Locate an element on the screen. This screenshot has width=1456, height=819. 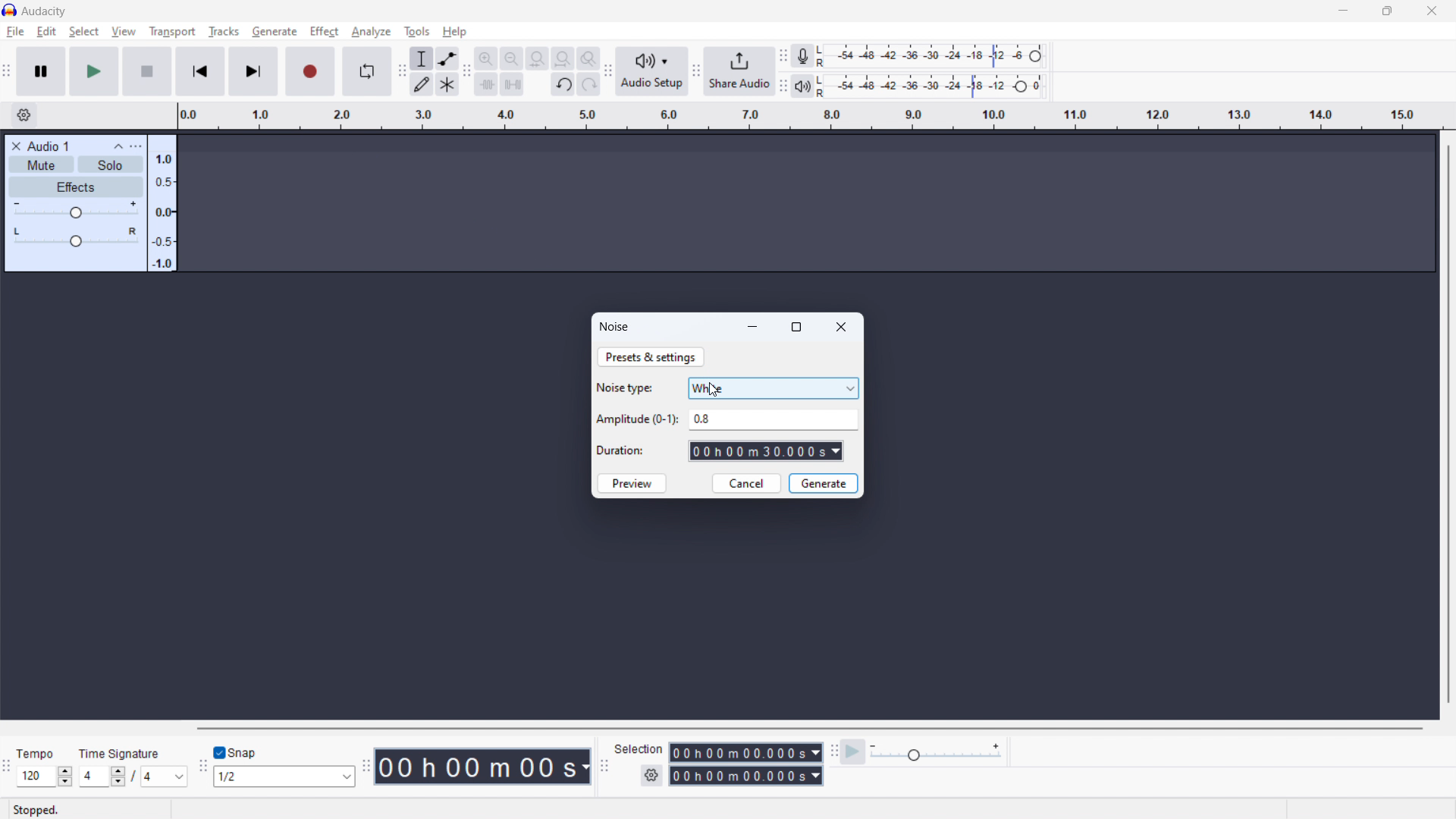
horizontal scrollbar is located at coordinates (807, 728).